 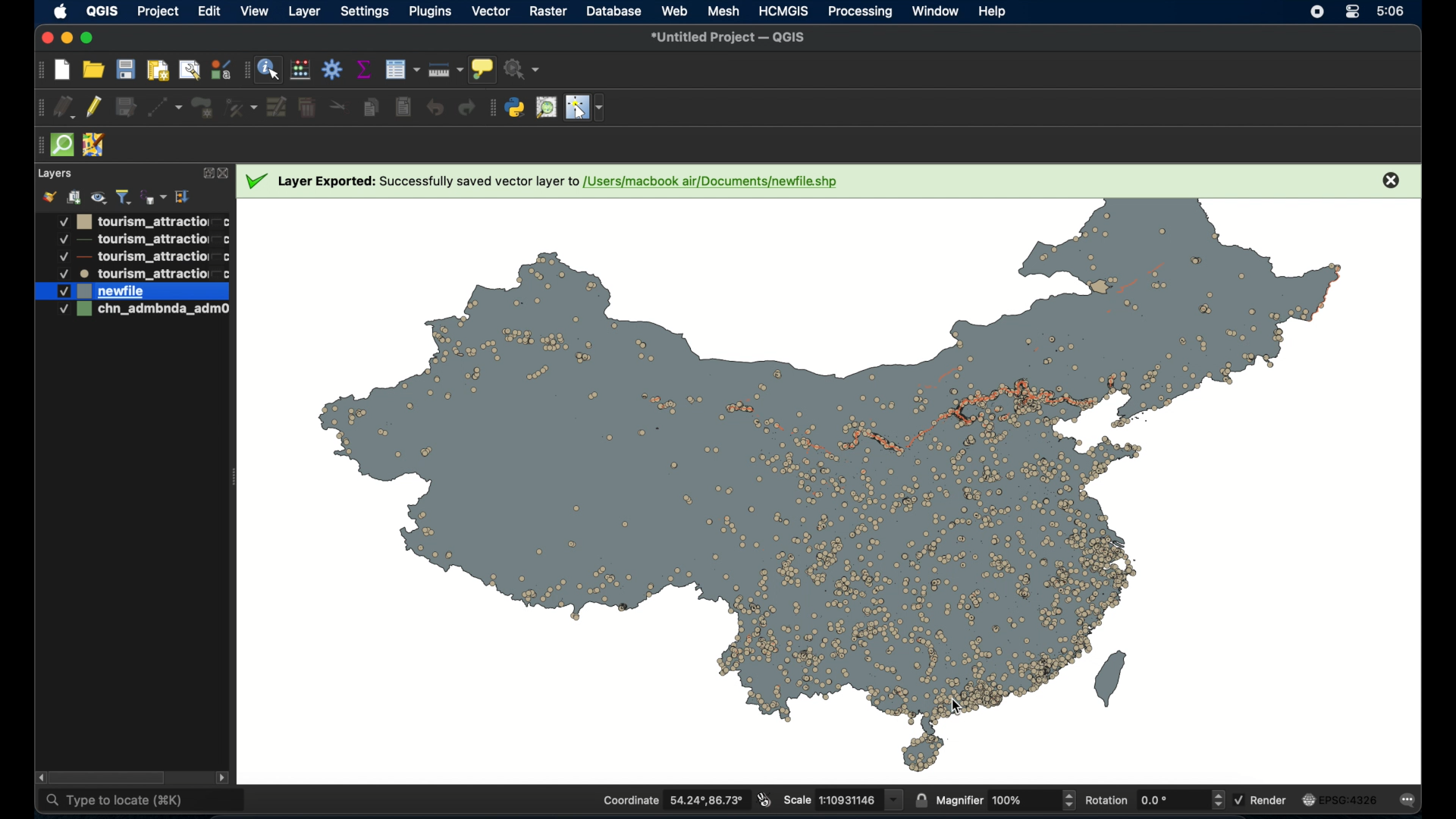 I want to click on add polygon feature, so click(x=205, y=108).